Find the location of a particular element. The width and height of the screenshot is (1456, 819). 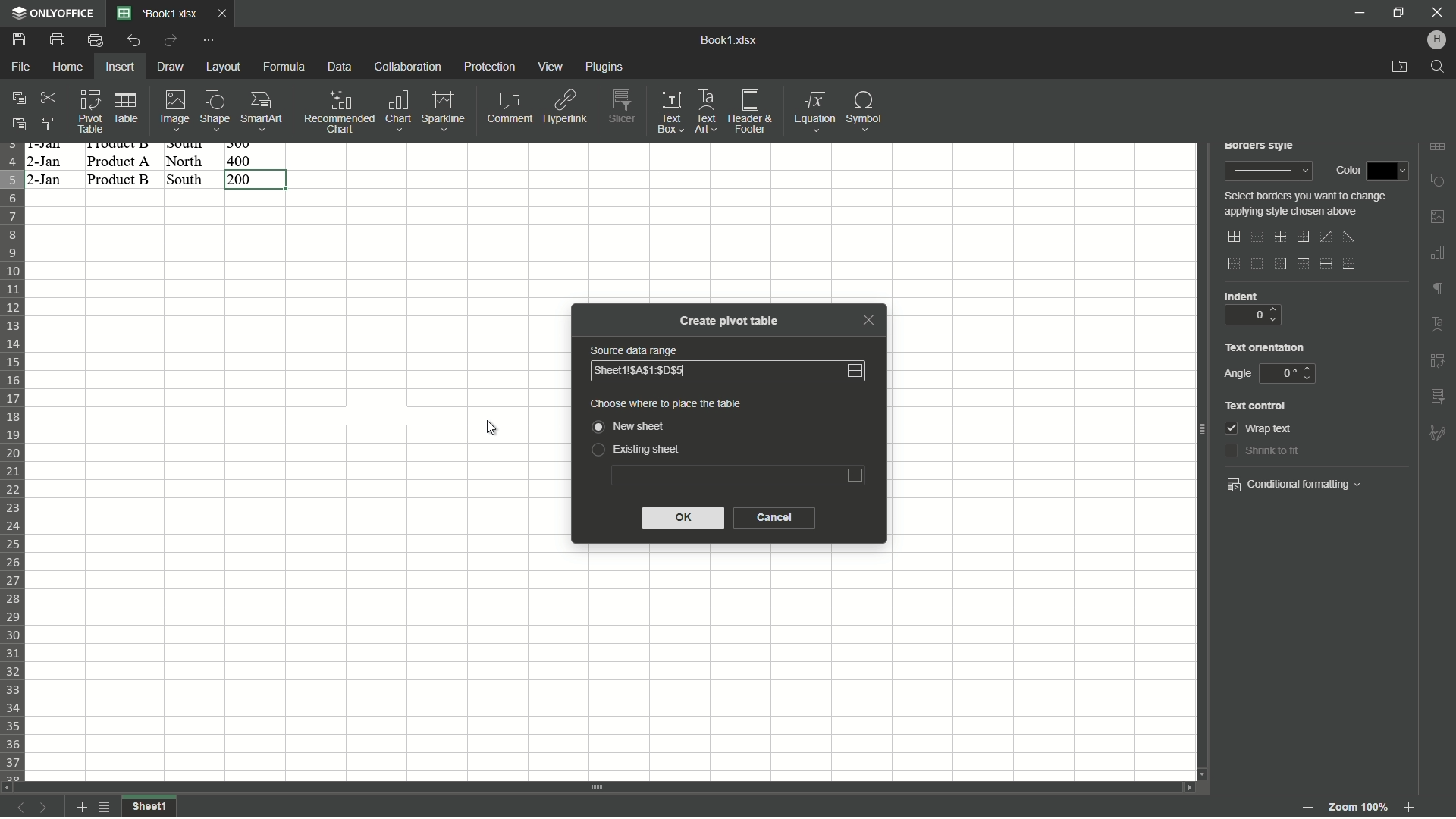

Table is located at coordinates (127, 108).